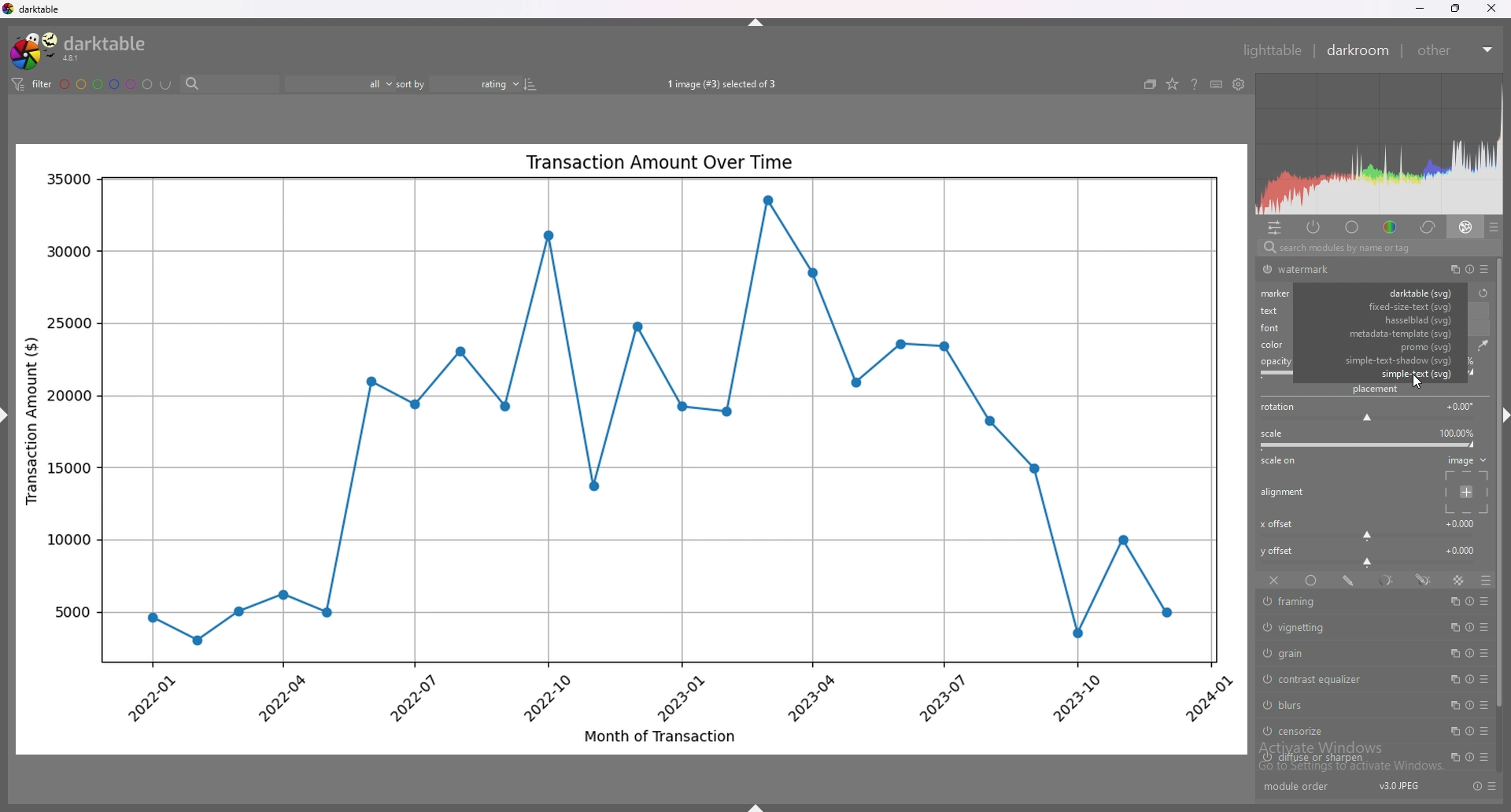 Image resolution: width=1511 pixels, height=812 pixels. Describe the element at coordinates (1265, 270) in the screenshot. I see `switch off` at that location.